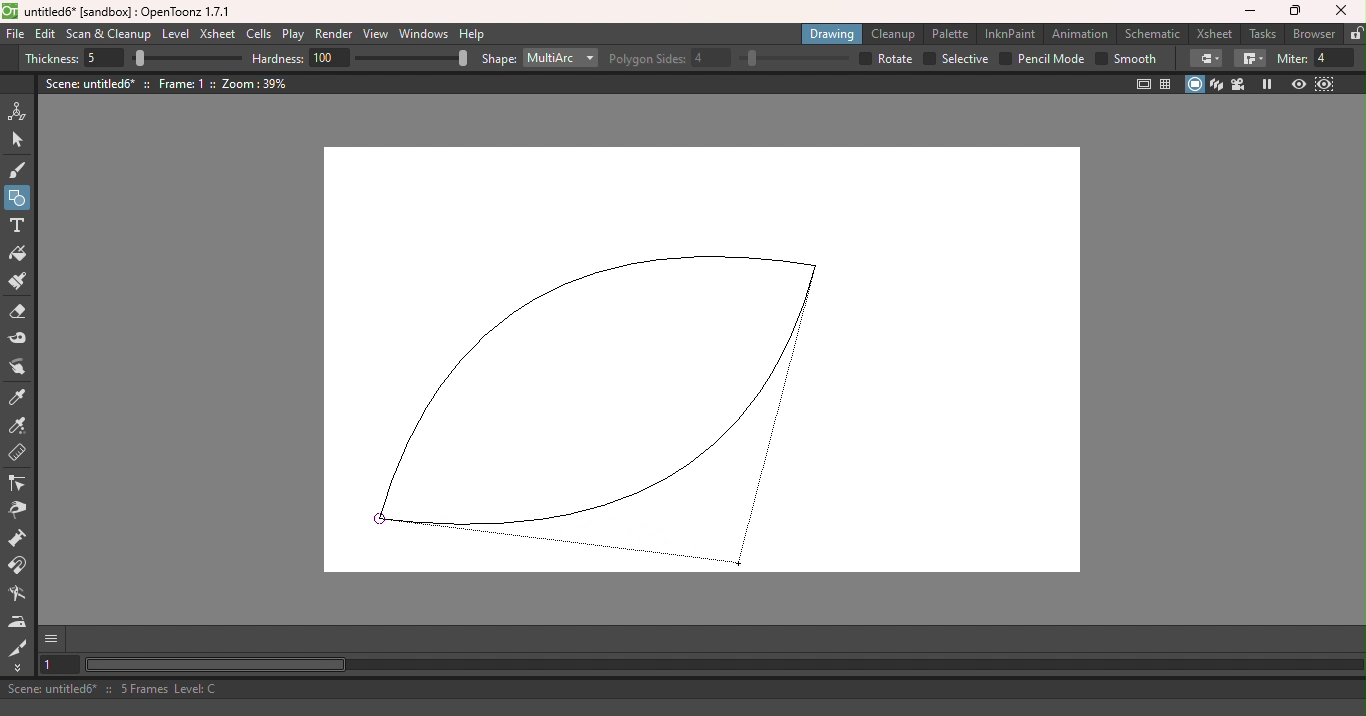  I want to click on Hardness, so click(302, 58).